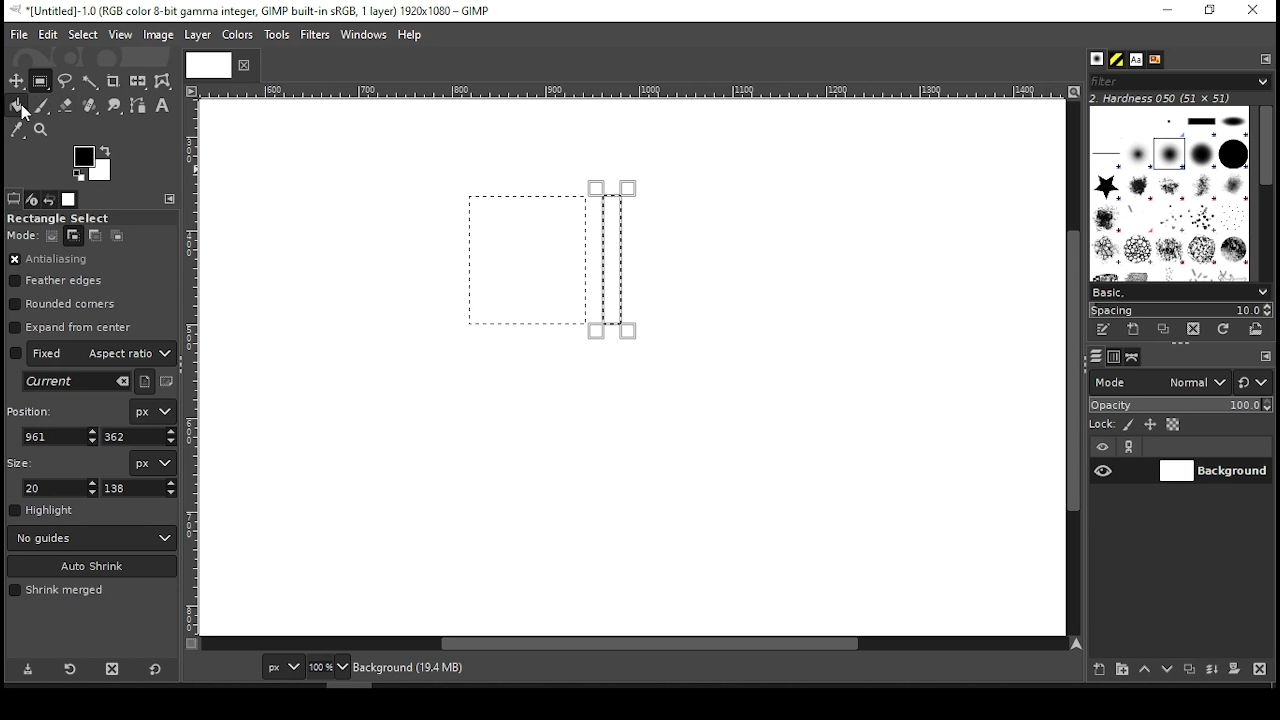 This screenshot has height=720, width=1280. What do you see at coordinates (193, 367) in the screenshot?
I see `` at bounding box center [193, 367].